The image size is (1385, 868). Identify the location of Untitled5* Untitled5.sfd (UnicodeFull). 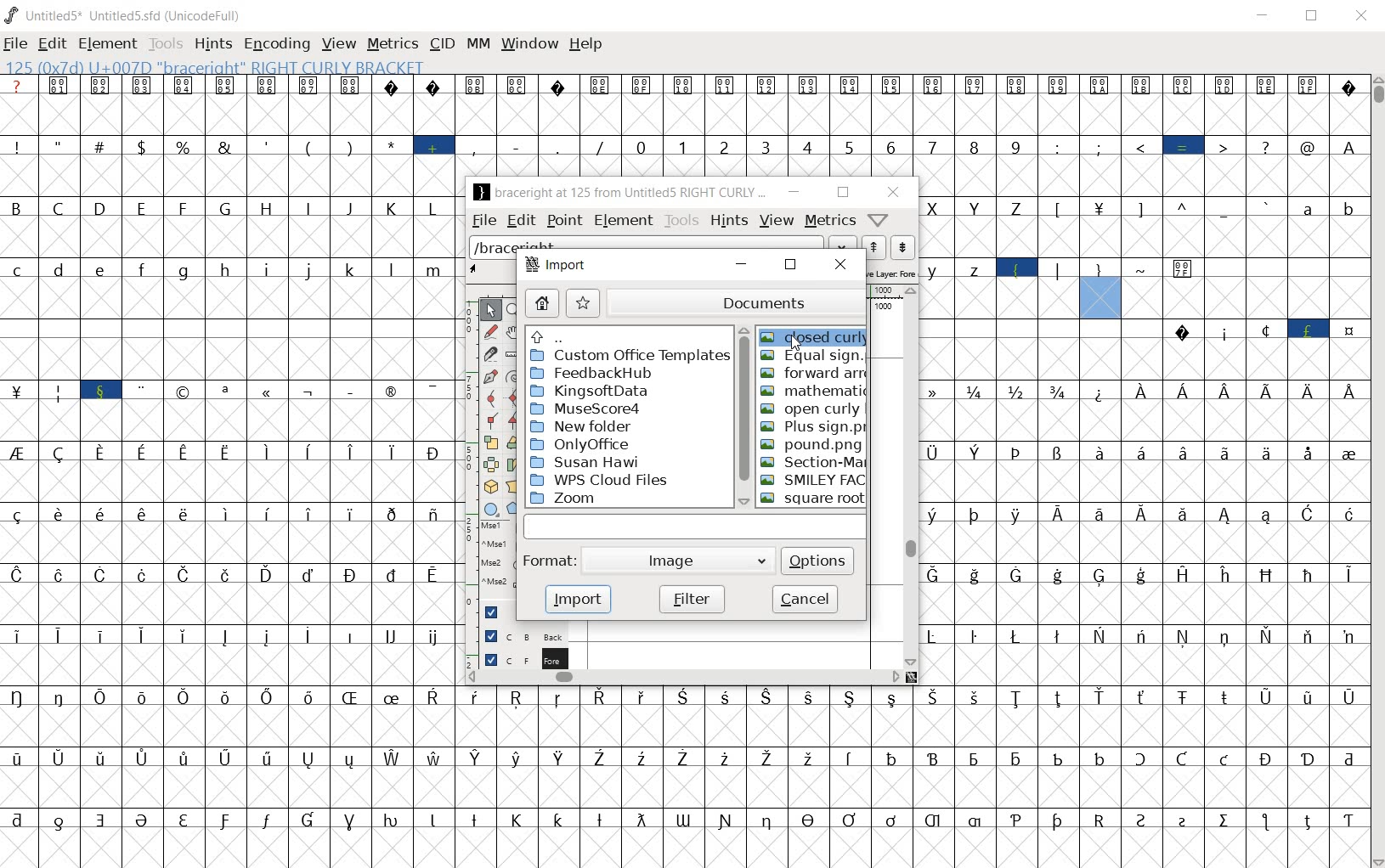
(125, 14).